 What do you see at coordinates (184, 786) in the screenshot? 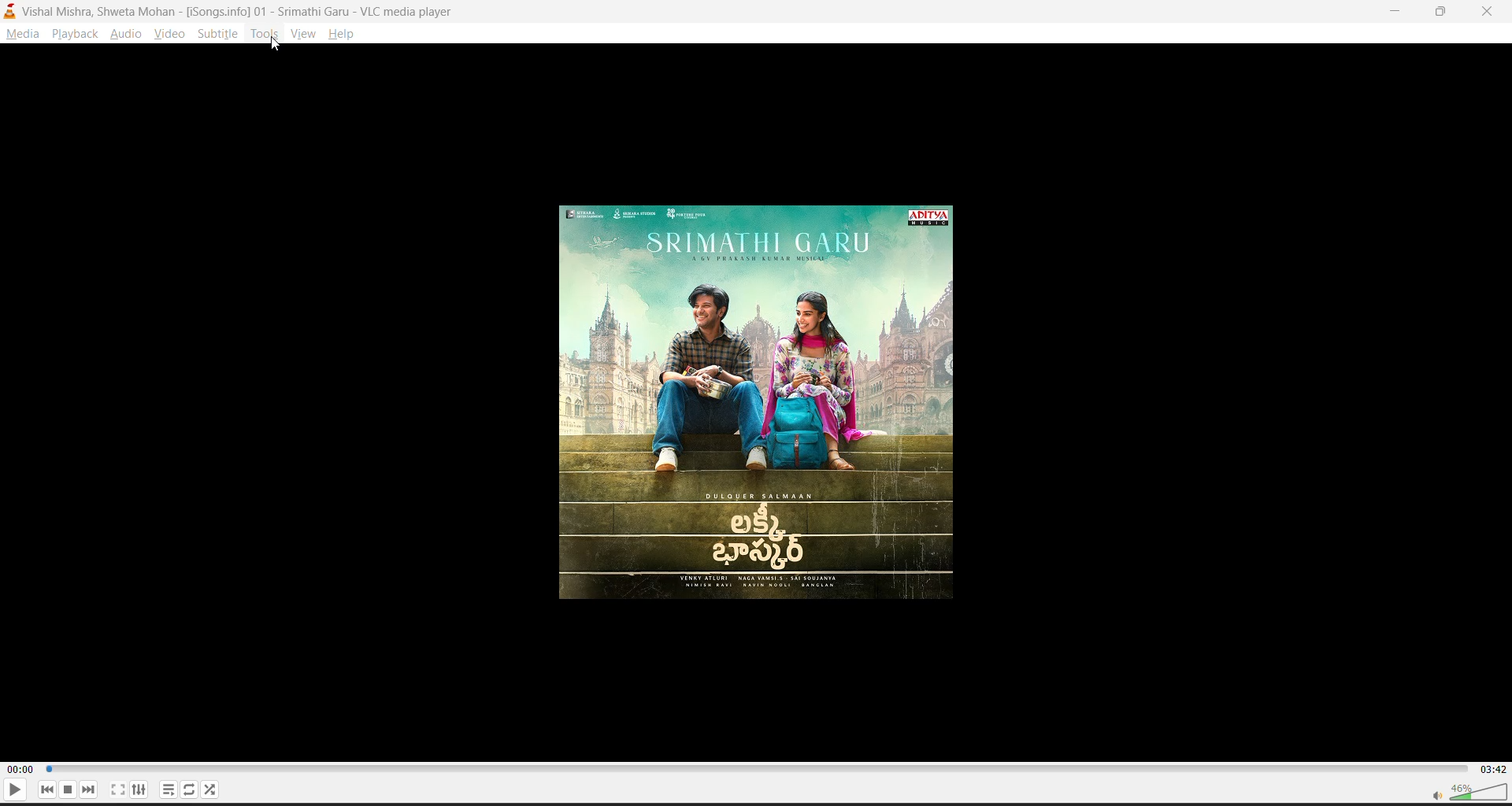
I see `loop` at bounding box center [184, 786].